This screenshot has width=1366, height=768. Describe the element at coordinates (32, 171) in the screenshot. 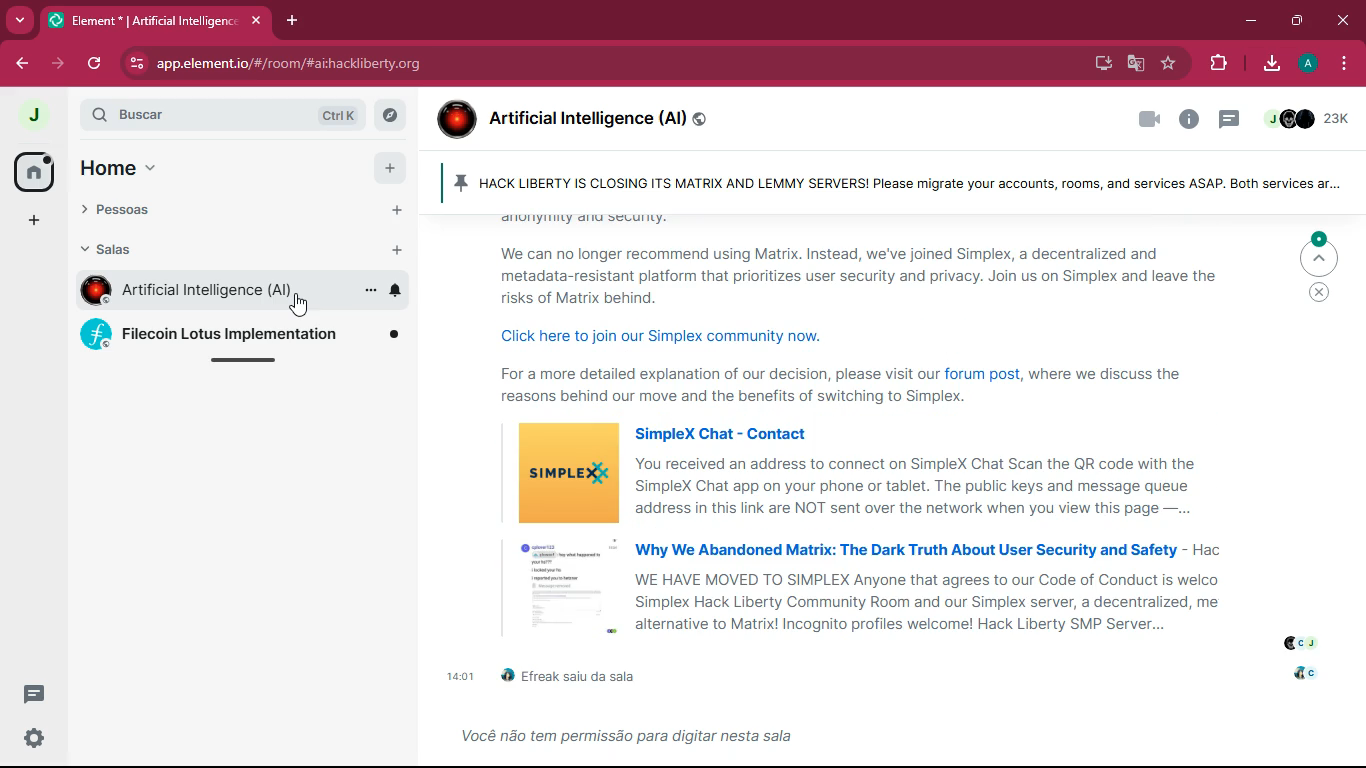

I see `home` at that location.